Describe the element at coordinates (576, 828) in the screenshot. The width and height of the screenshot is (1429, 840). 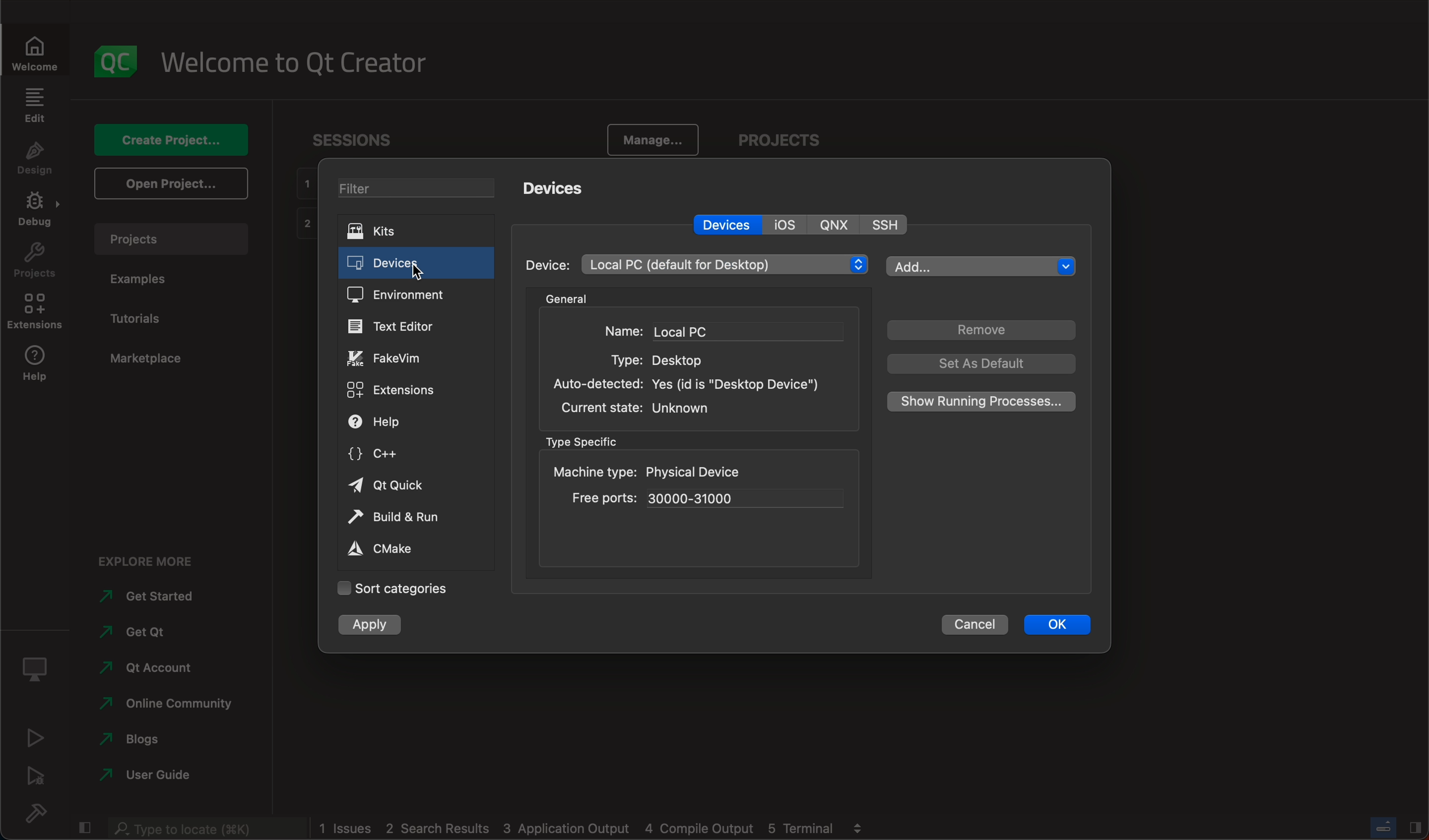
I see `1 issues 2 search results 3 application output 4 compile output 5 terminal` at that location.